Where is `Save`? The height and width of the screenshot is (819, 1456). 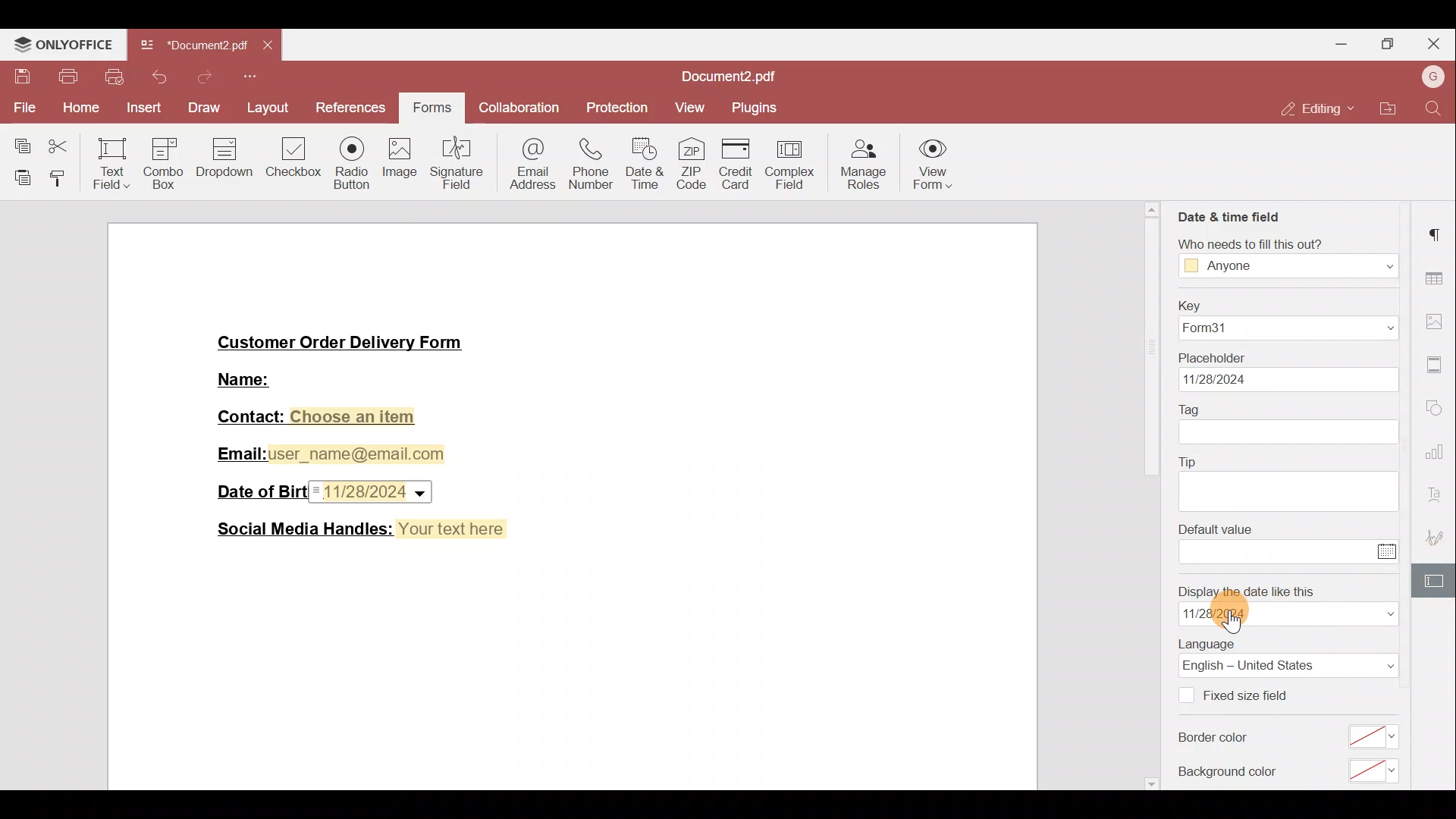
Save is located at coordinates (18, 74).